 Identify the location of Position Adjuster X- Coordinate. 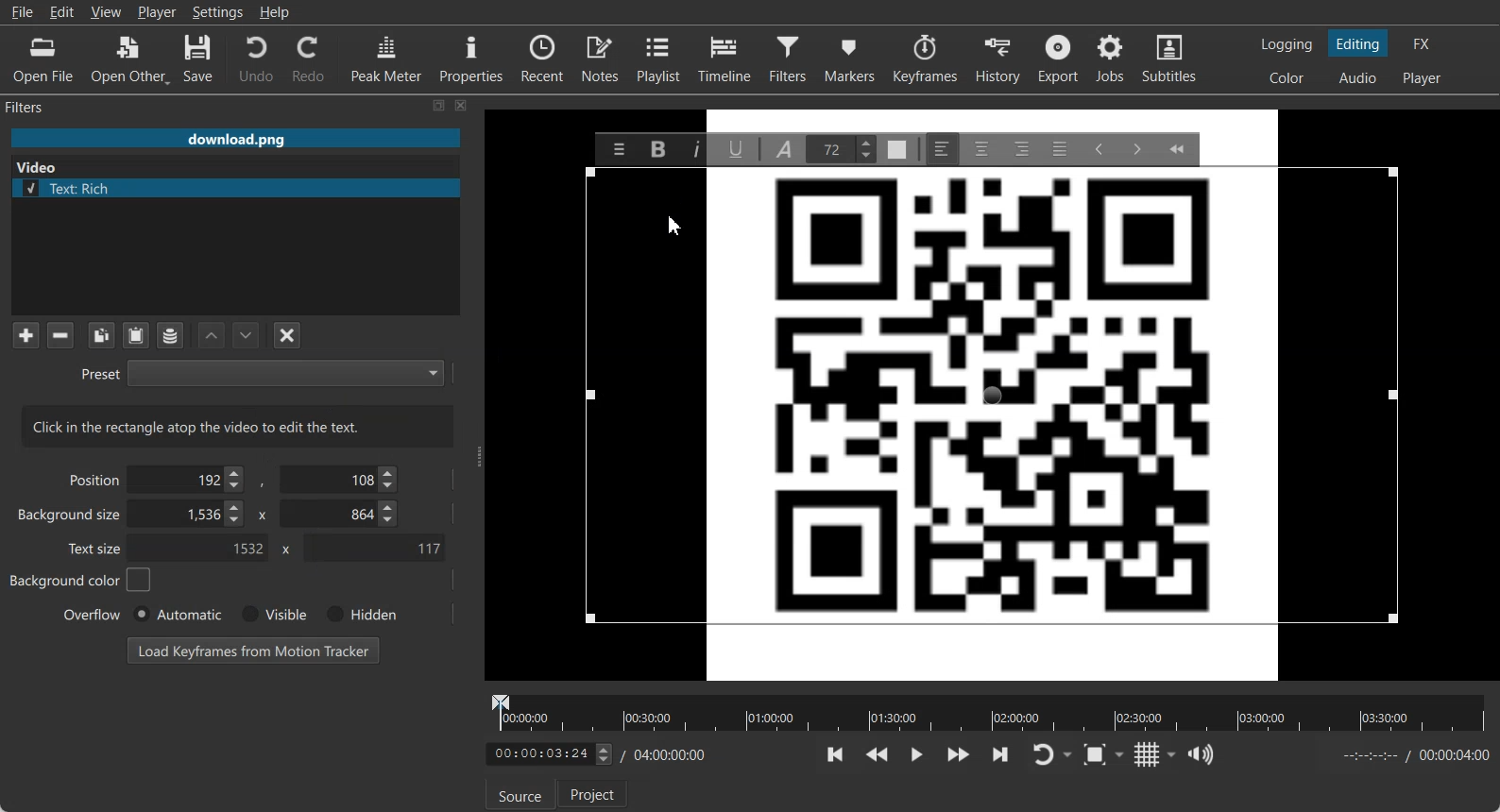
(188, 480).